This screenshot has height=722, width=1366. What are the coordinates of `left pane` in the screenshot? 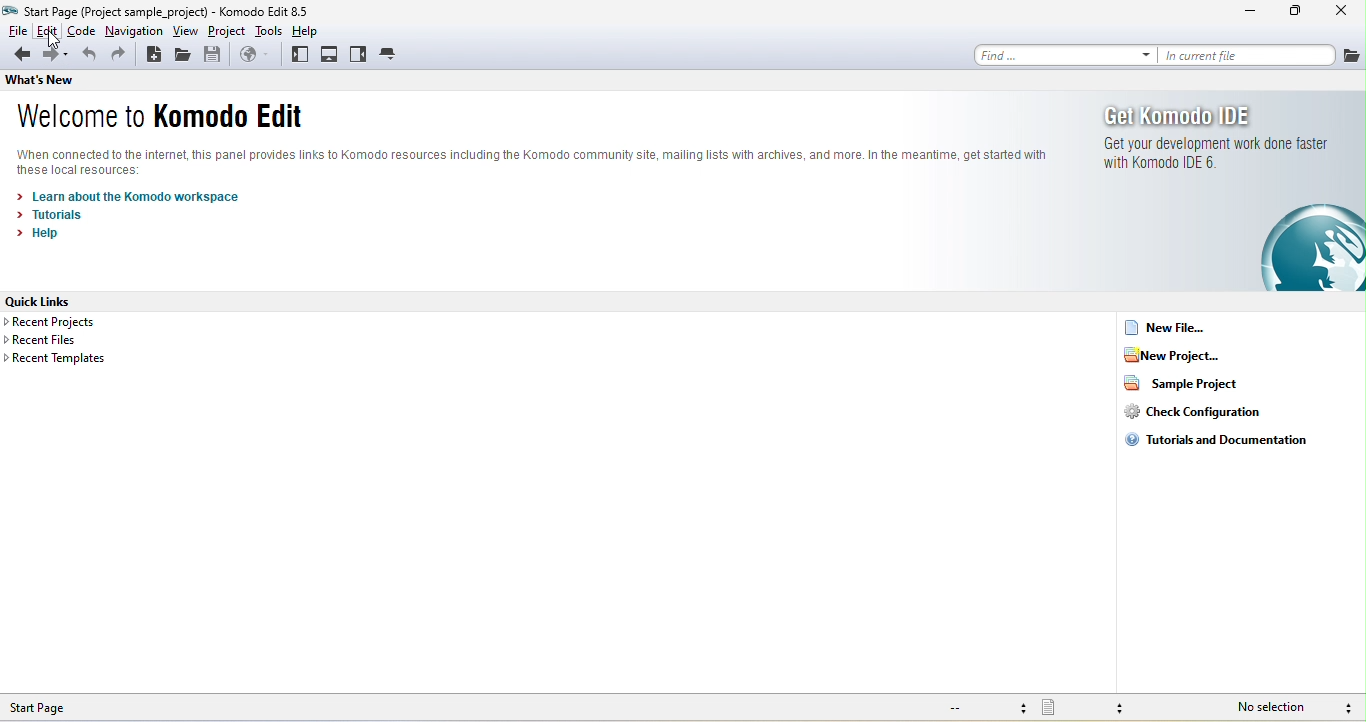 It's located at (298, 56).